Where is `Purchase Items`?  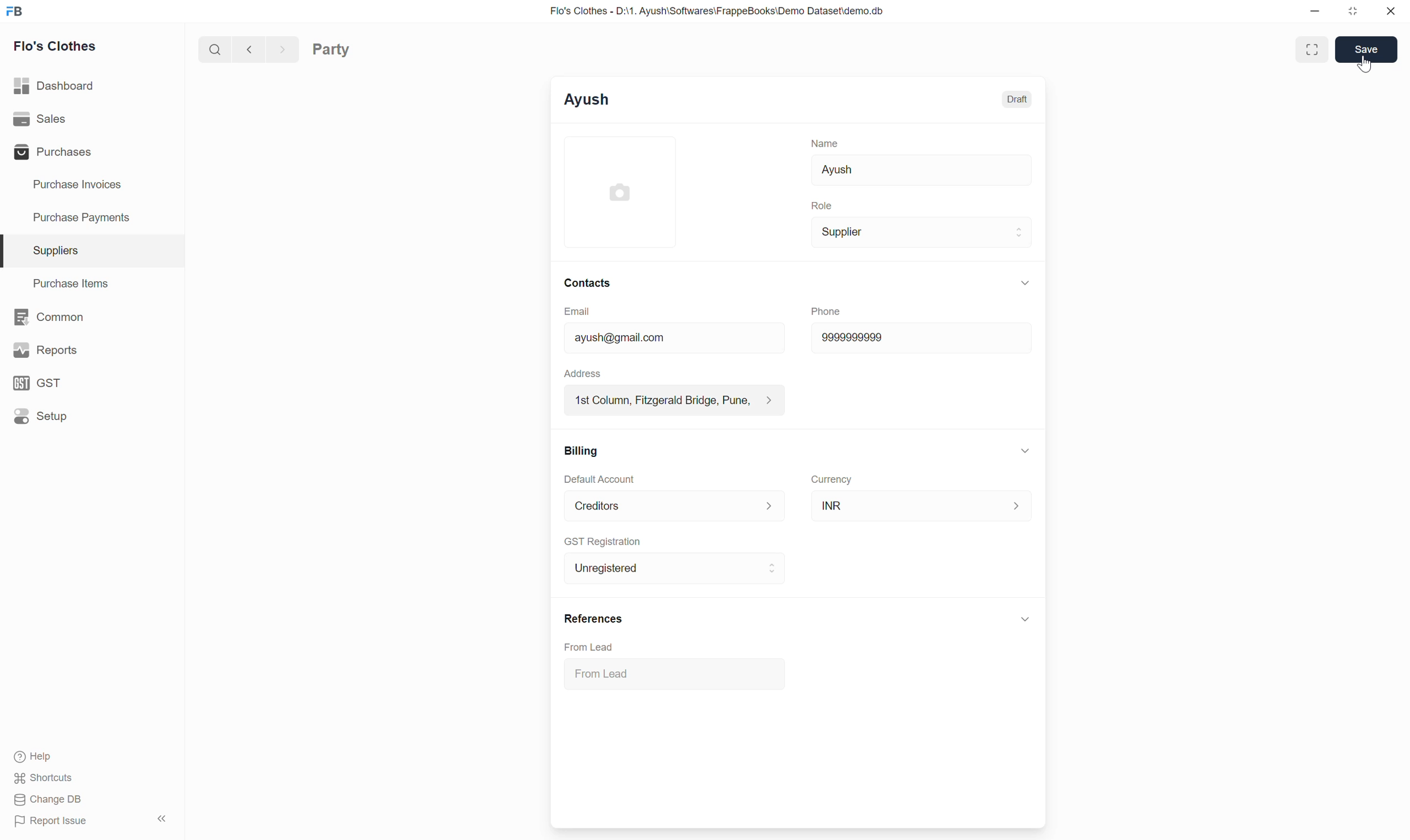
Purchase Items is located at coordinates (92, 284).